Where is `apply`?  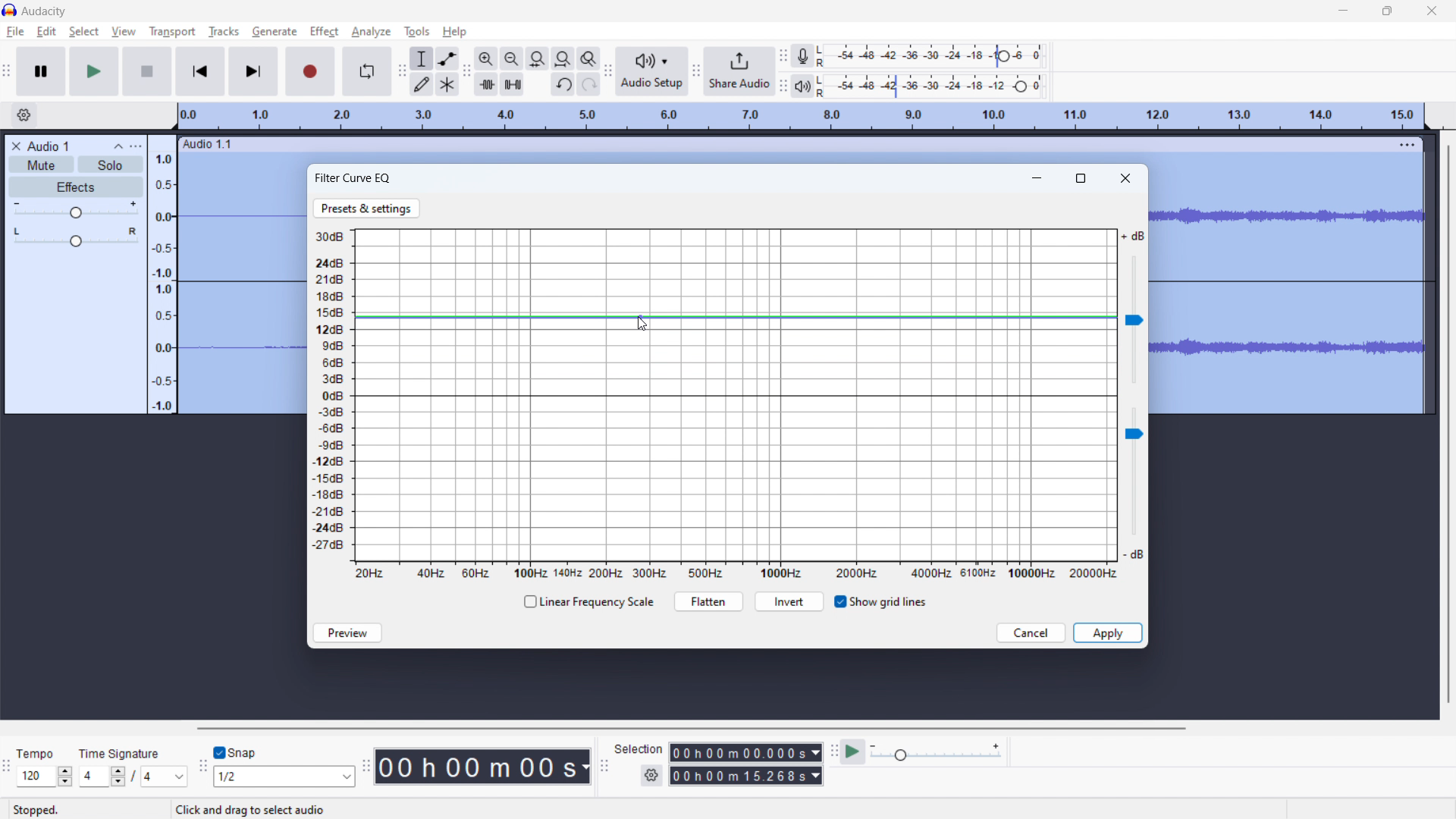
apply is located at coordinates (1107, 632).